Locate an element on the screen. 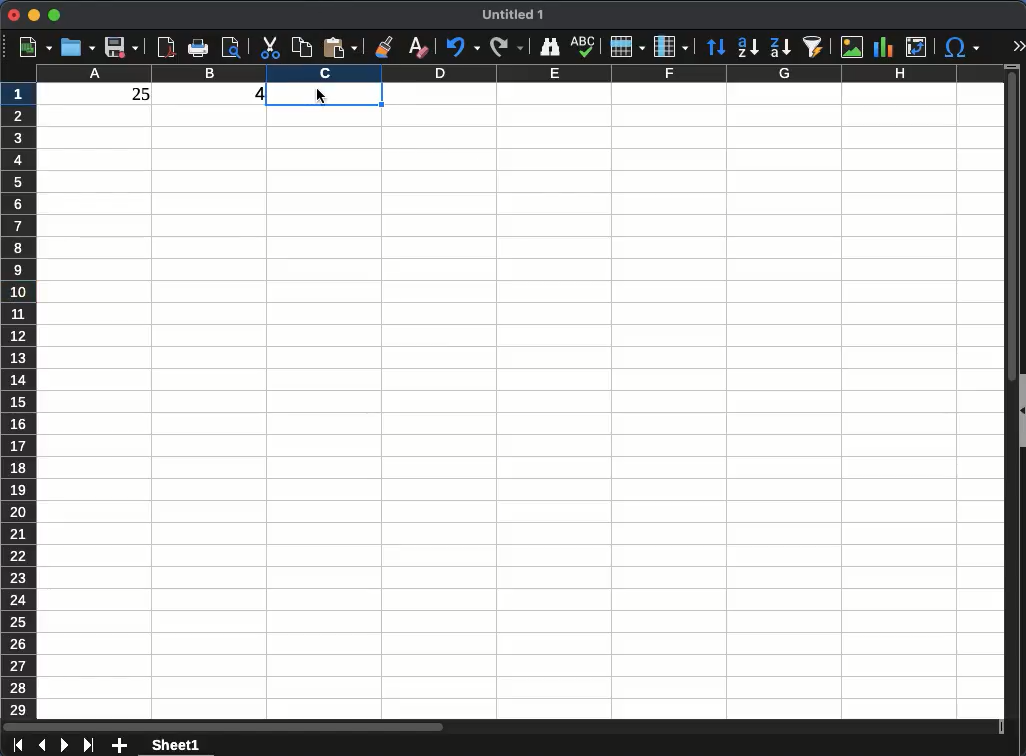 The image size is (1026, 756). rows is located at coordinates (628, 46).